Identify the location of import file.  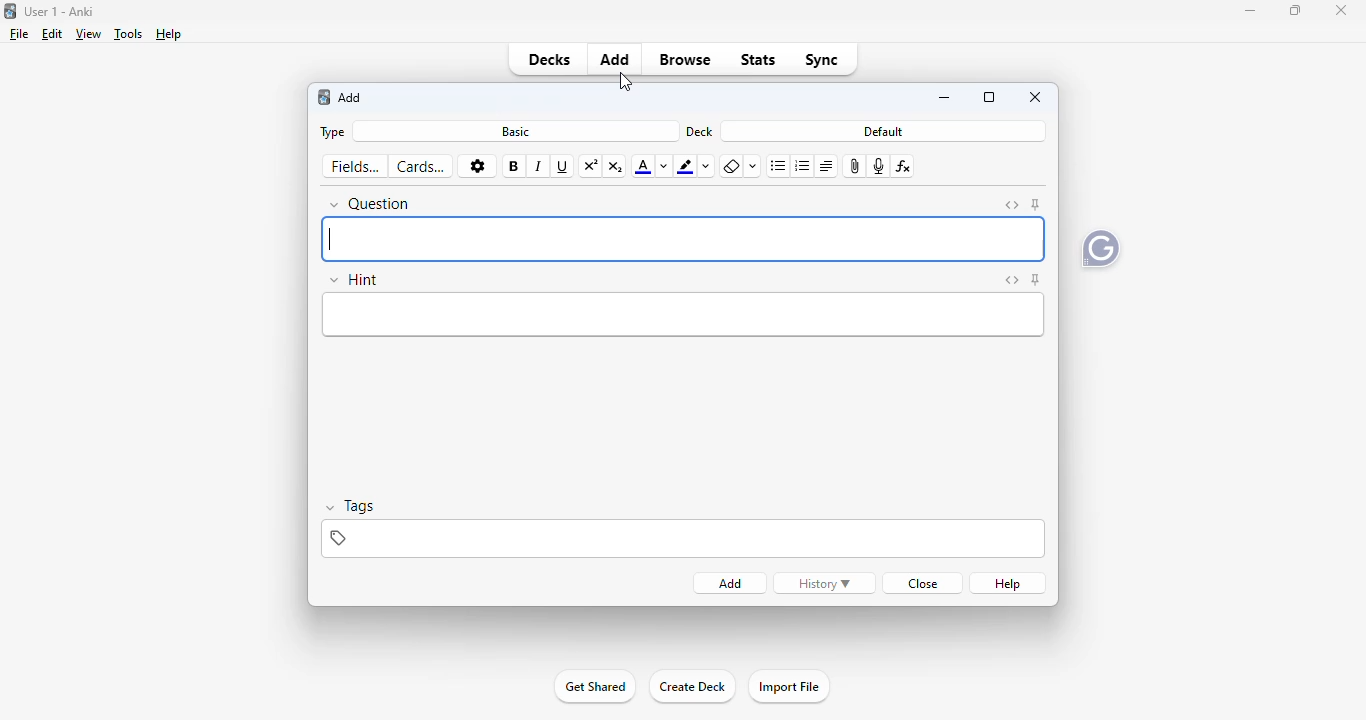
(788, 687).